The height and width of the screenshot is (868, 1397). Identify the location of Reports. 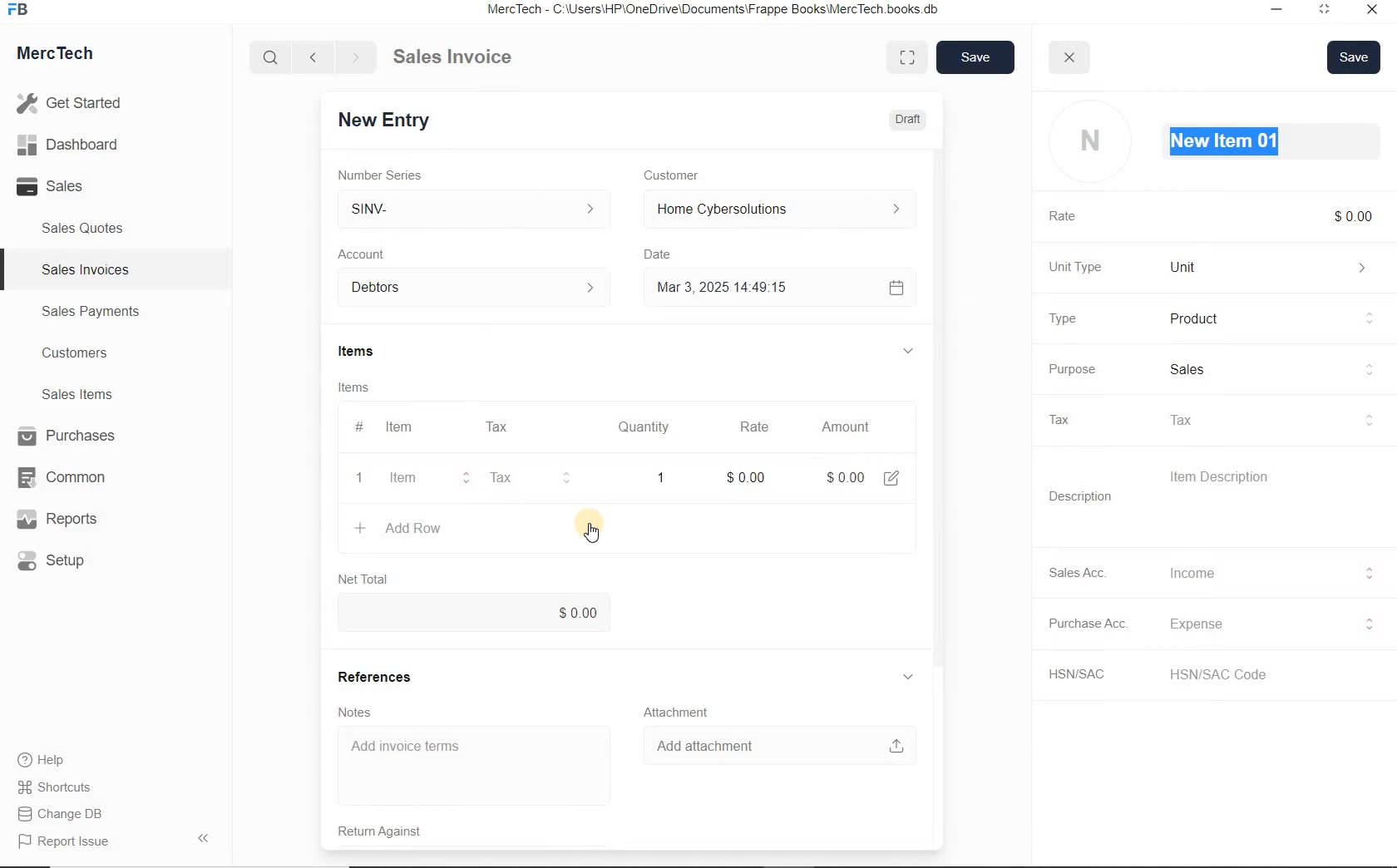
(70, 520).